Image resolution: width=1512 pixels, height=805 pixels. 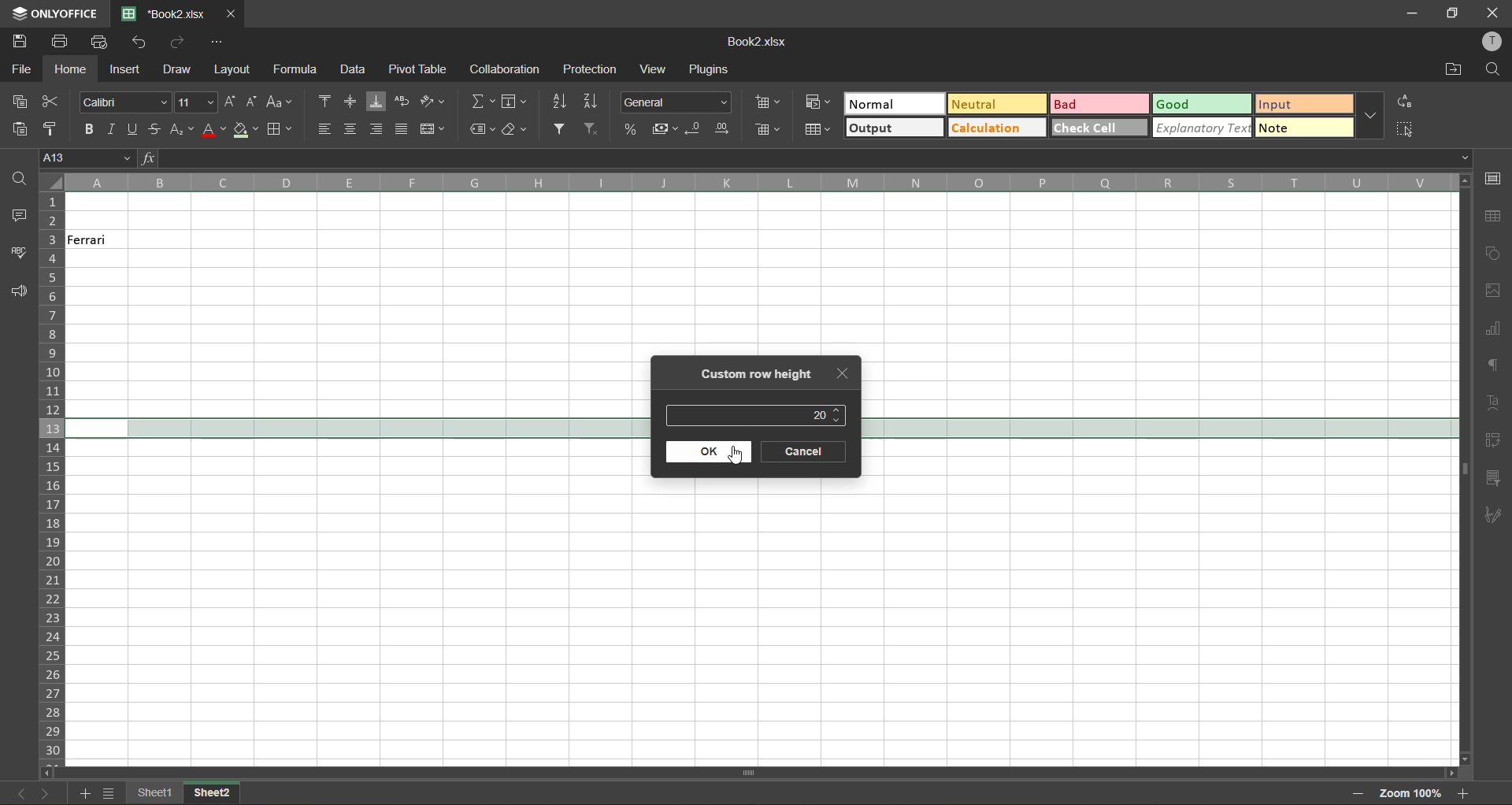 What do you see at coordinates (55, 126) in the screenshot?
I see `copy style` at bounding box center [55, 126].